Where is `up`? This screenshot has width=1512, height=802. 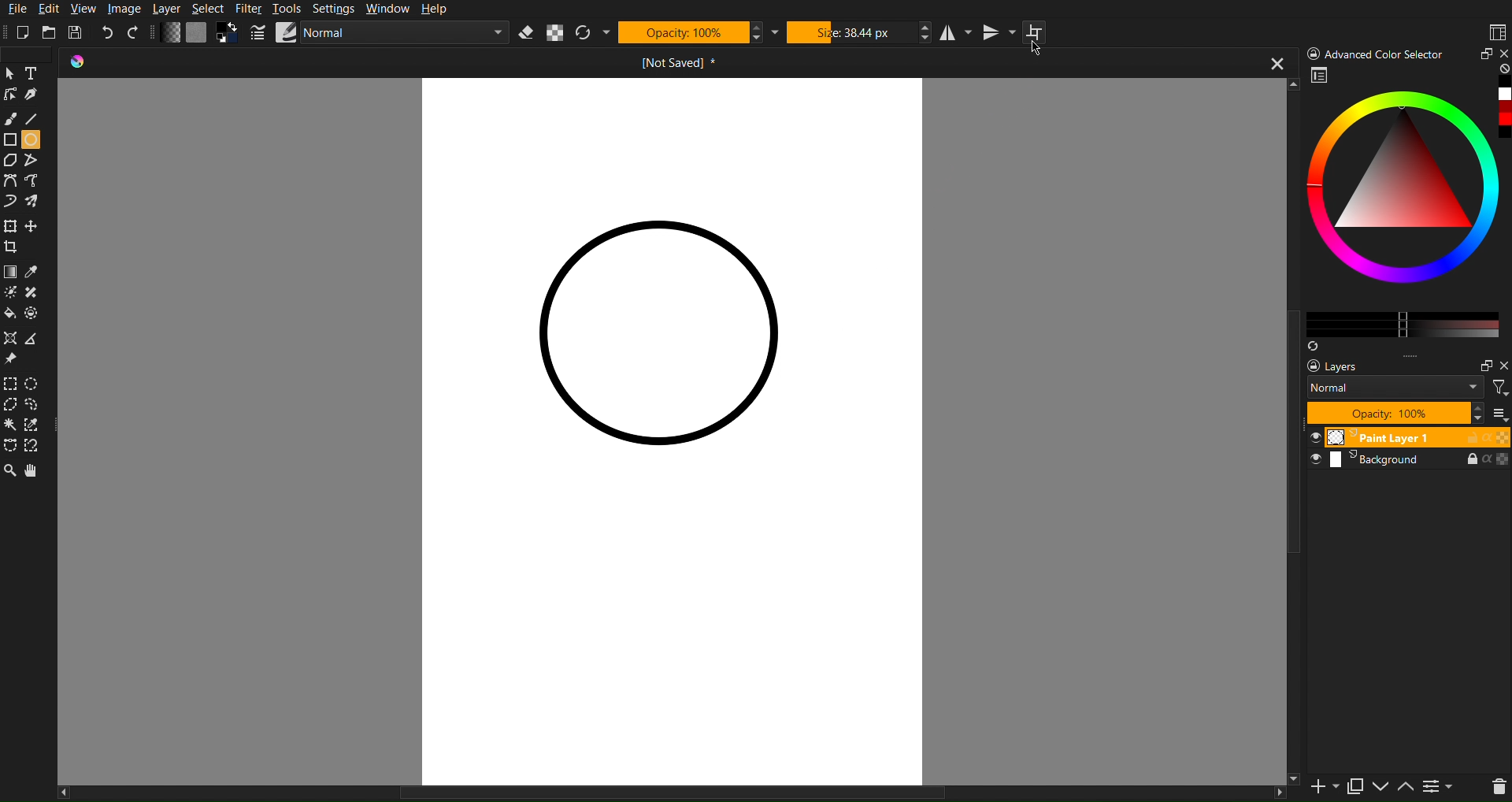 up is located at coordinates (1406, 789).